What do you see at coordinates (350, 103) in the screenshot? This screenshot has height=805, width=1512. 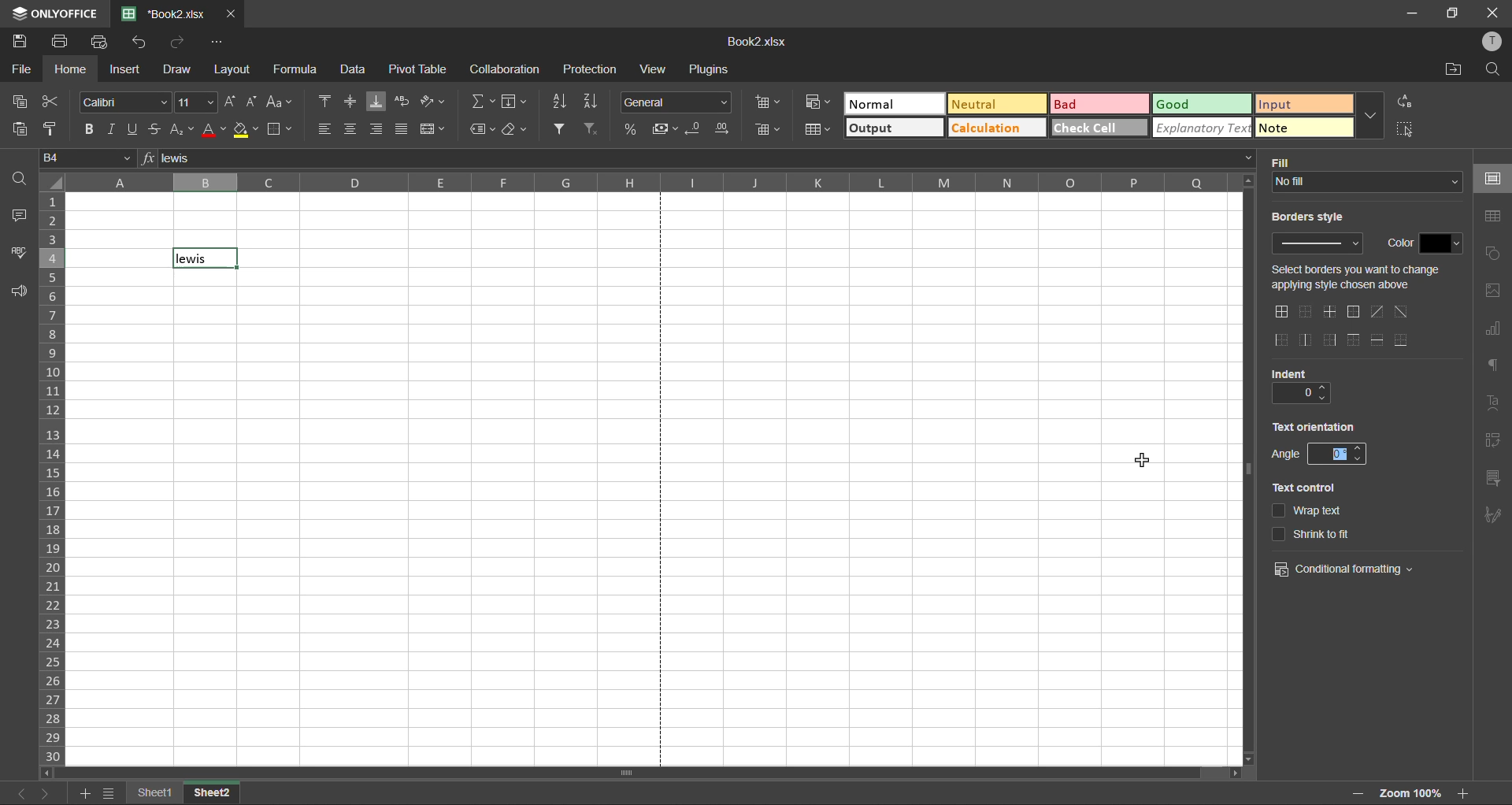 I see `align middle` at bounding box center [350, 103].